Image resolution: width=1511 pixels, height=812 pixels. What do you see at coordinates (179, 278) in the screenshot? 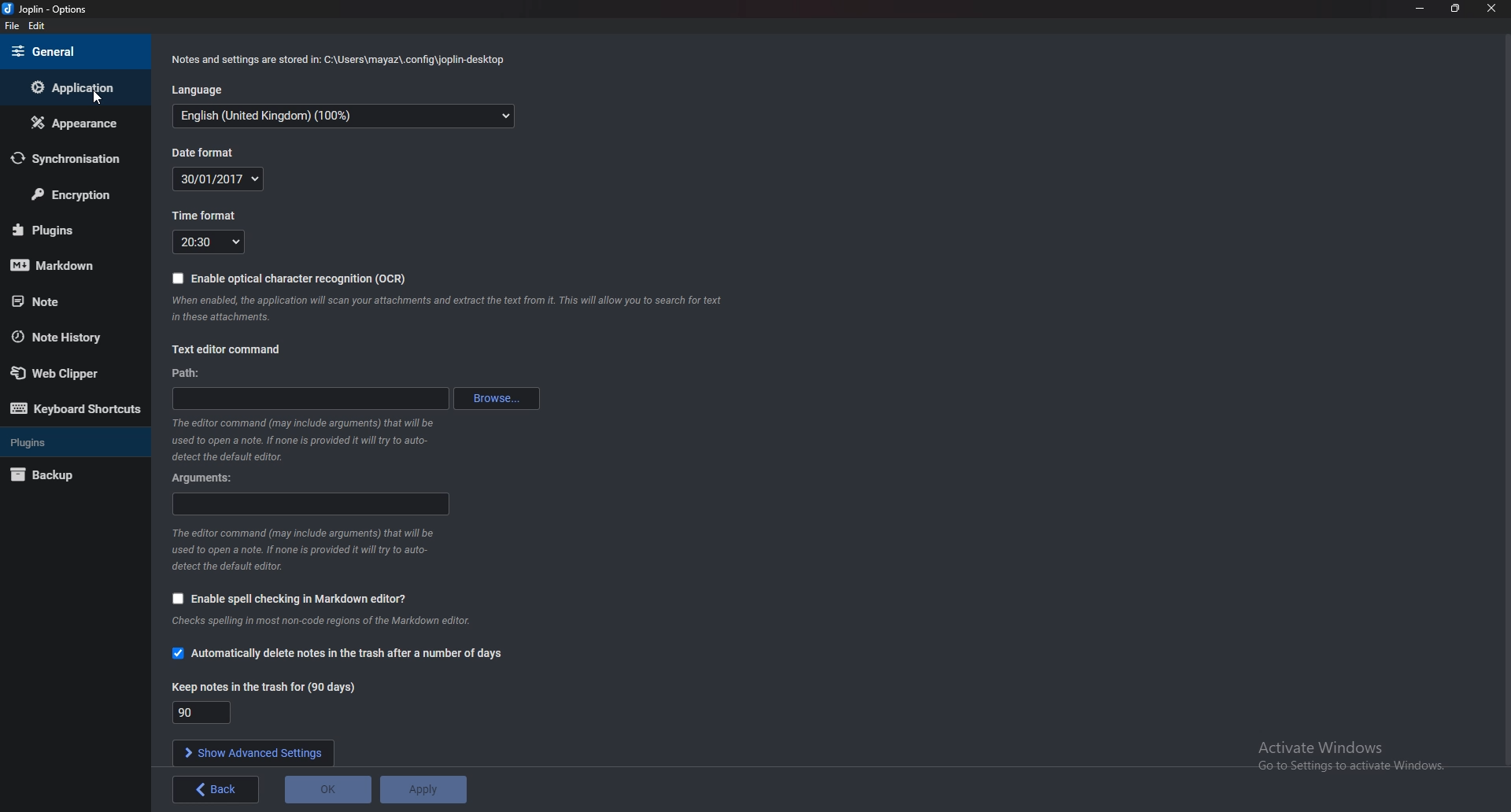
I see `checkbox` at bounding box center [179, 278].